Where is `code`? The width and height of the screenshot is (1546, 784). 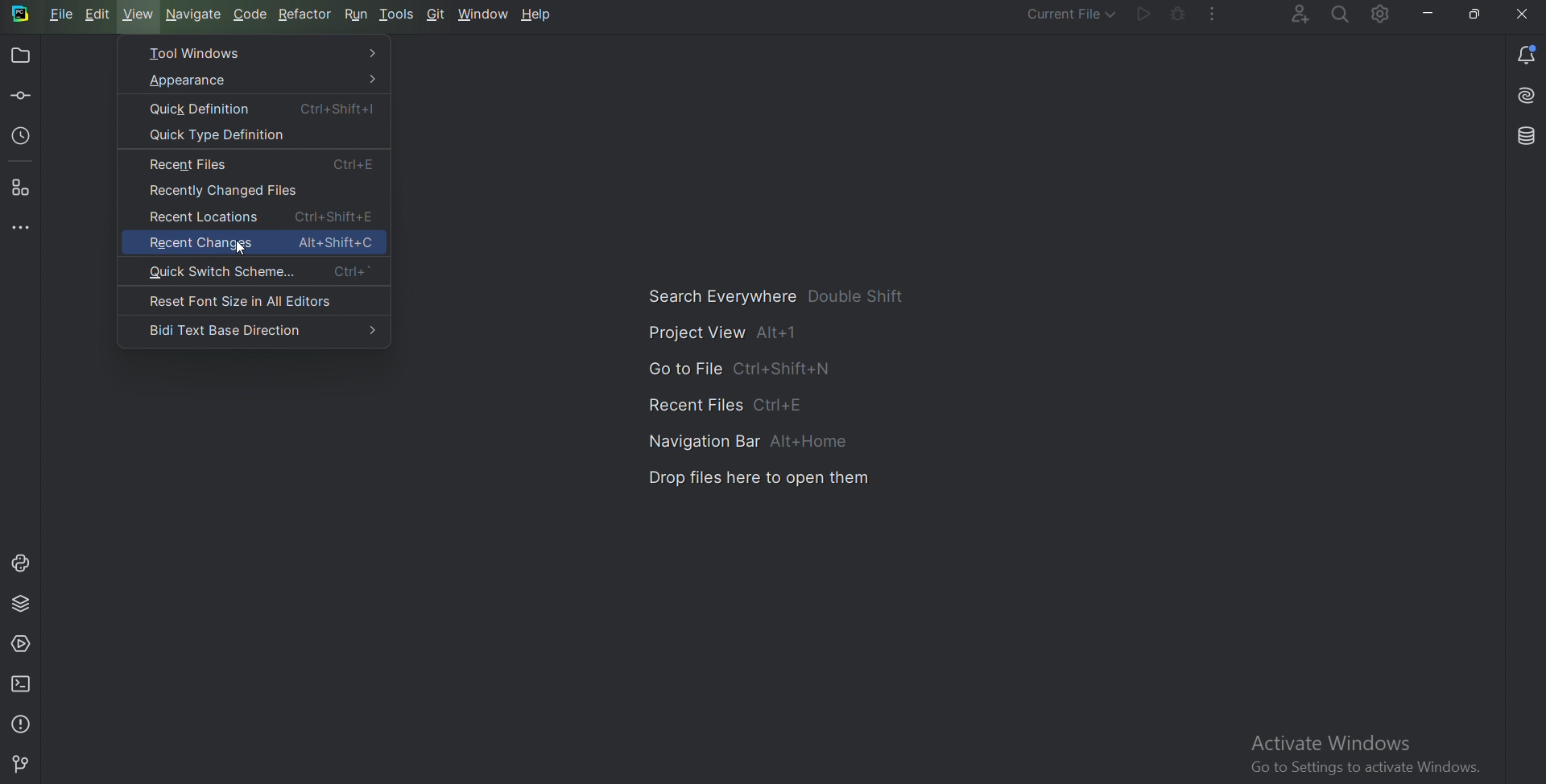
code is located at coordinates (252, 15).